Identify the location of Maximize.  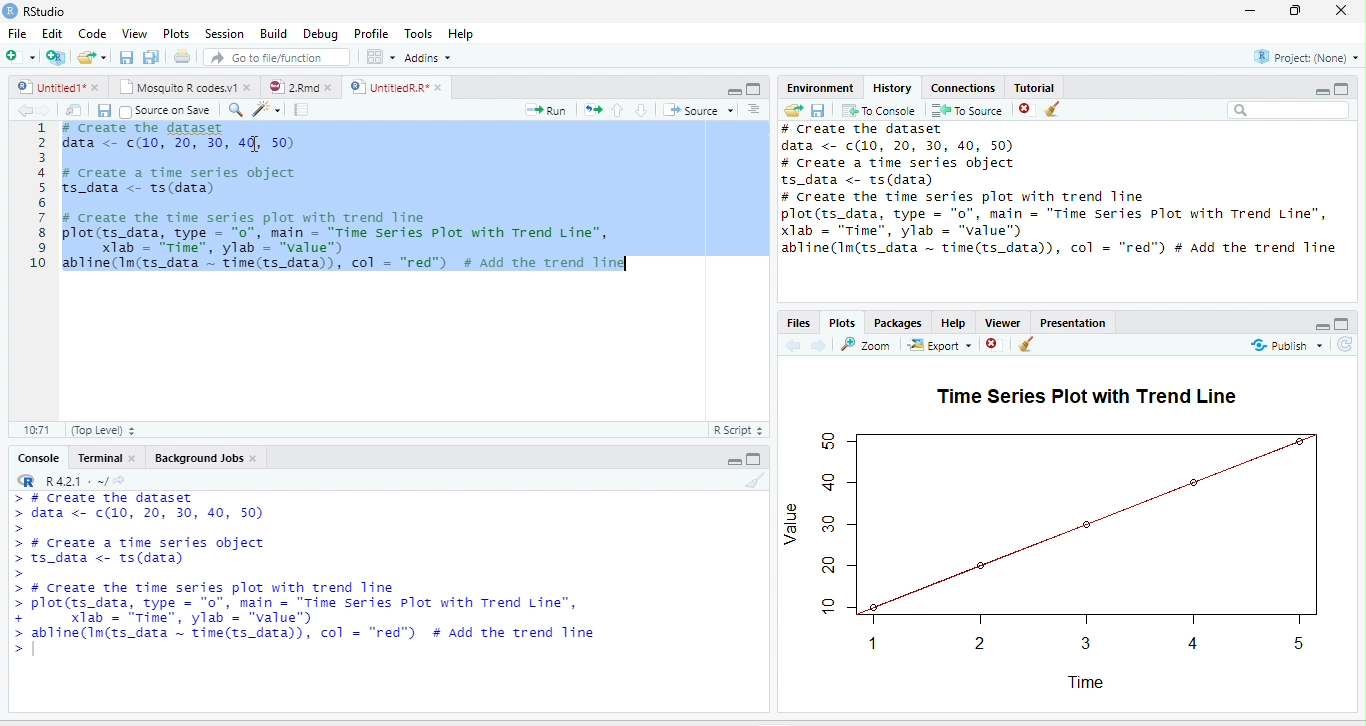
(755, 89).